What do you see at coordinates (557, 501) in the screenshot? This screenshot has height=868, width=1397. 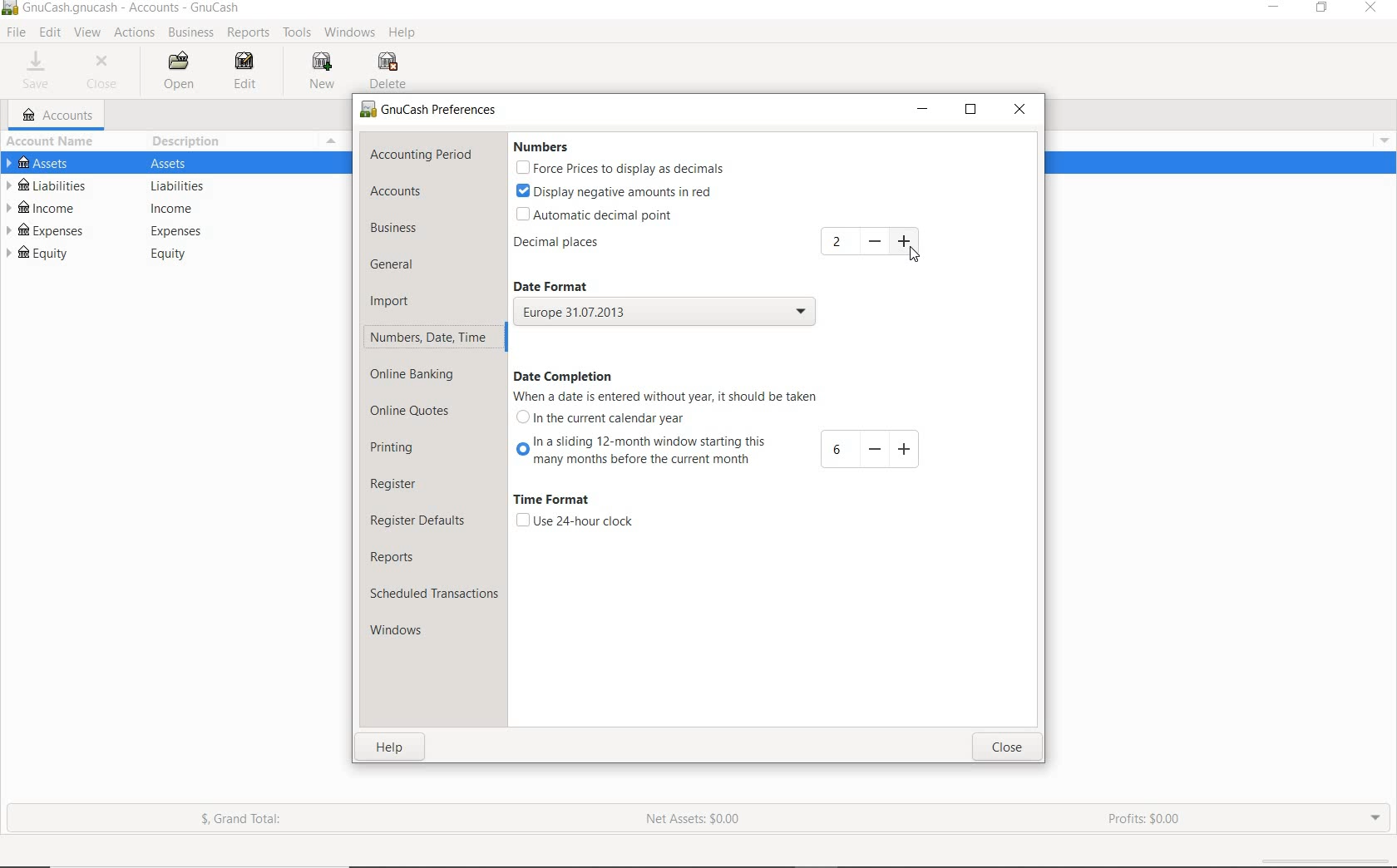 I see `time format` at bounding box center [557, 501].